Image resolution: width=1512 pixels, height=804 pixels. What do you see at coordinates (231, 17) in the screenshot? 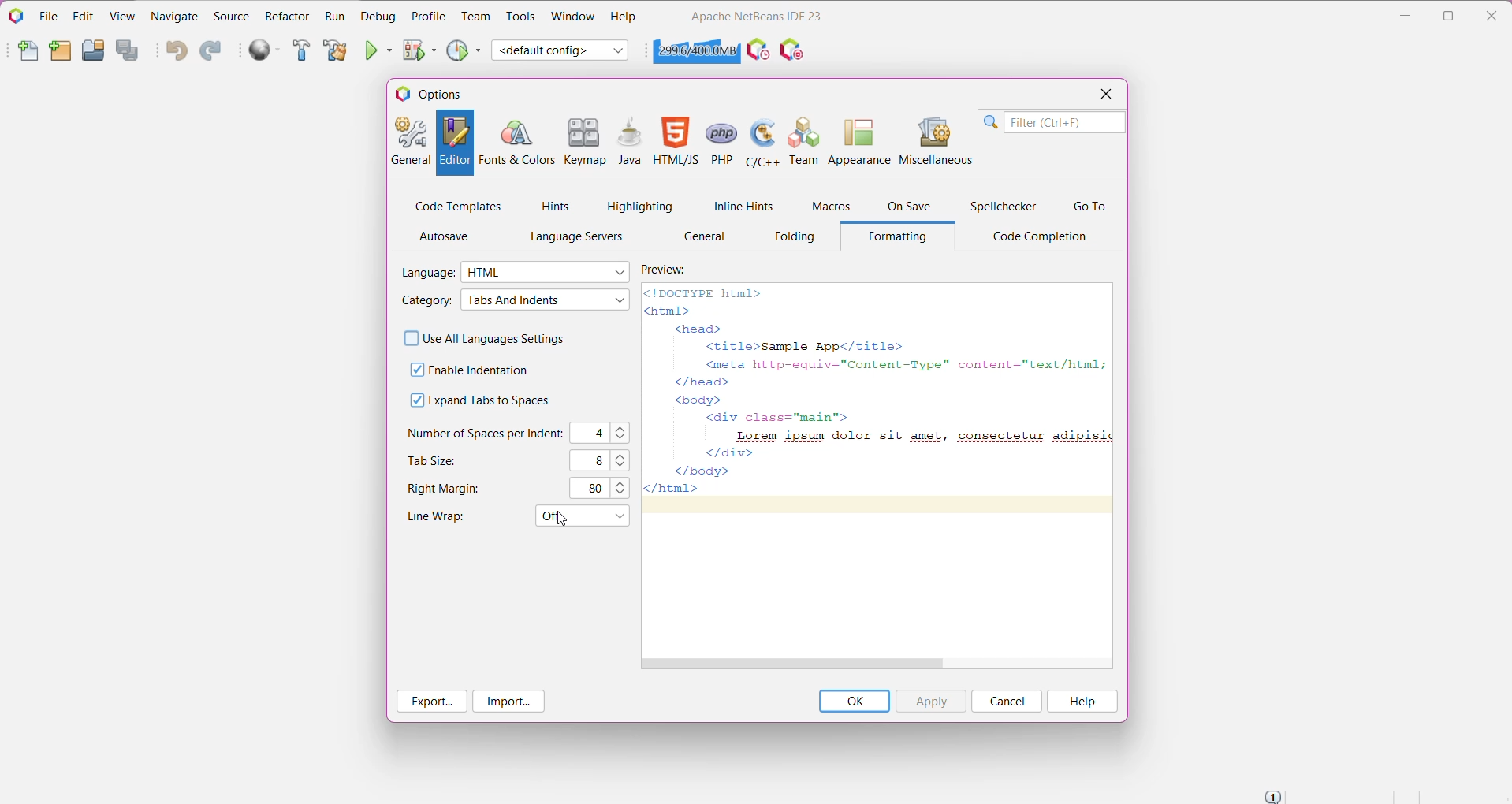
I see `Source` at bounding box center [231, 17].